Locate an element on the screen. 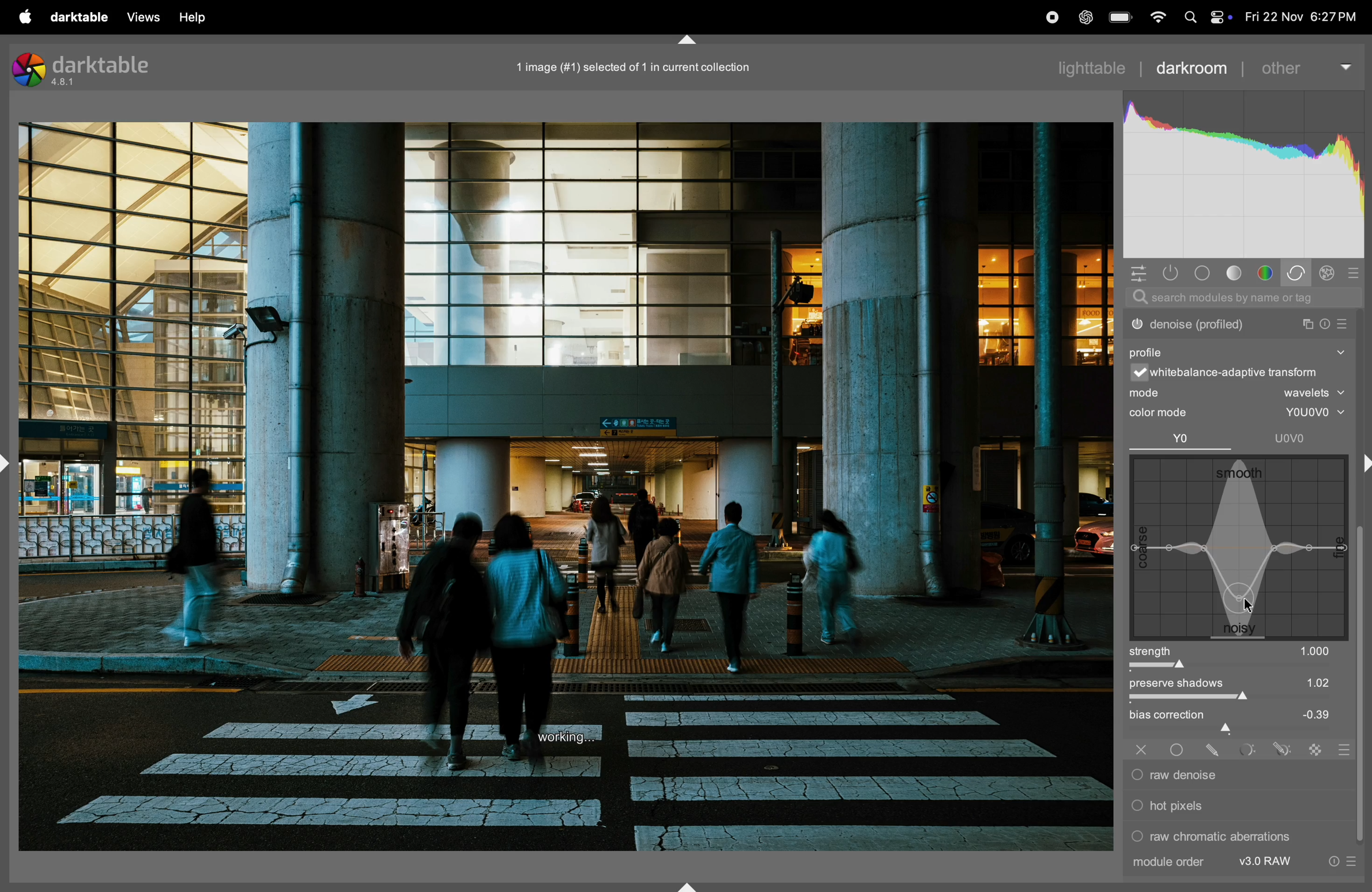 The height and width of the screenshot is (892, 1372). show is located at coordinates (1341, 354).